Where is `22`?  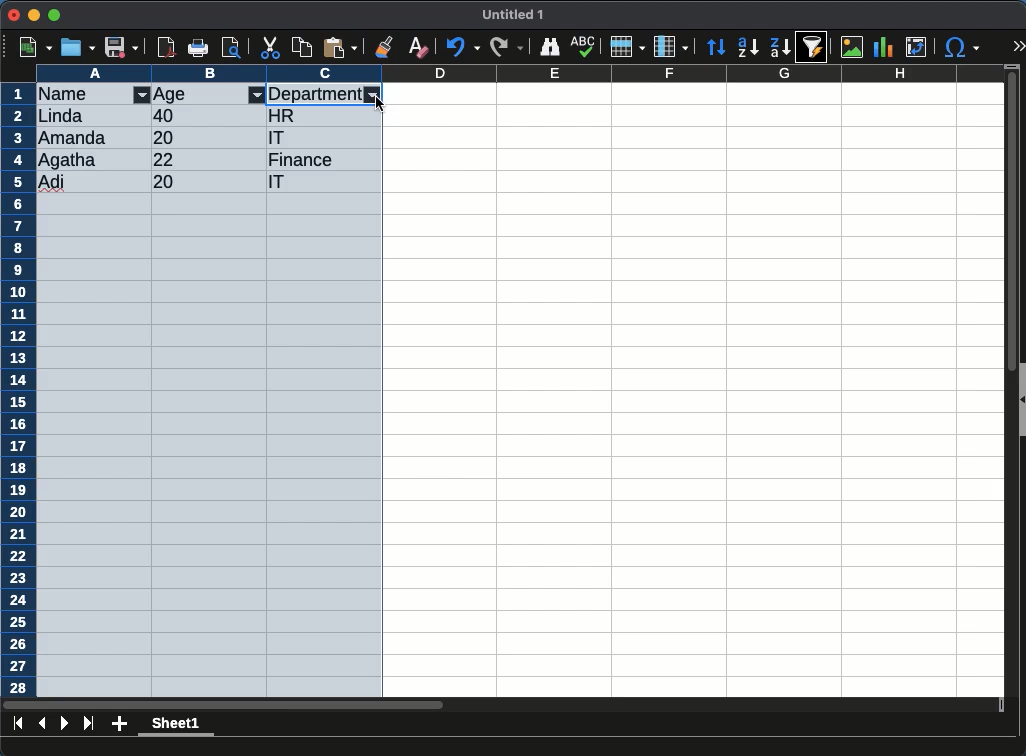 22 is located at coordinates (168, 159).